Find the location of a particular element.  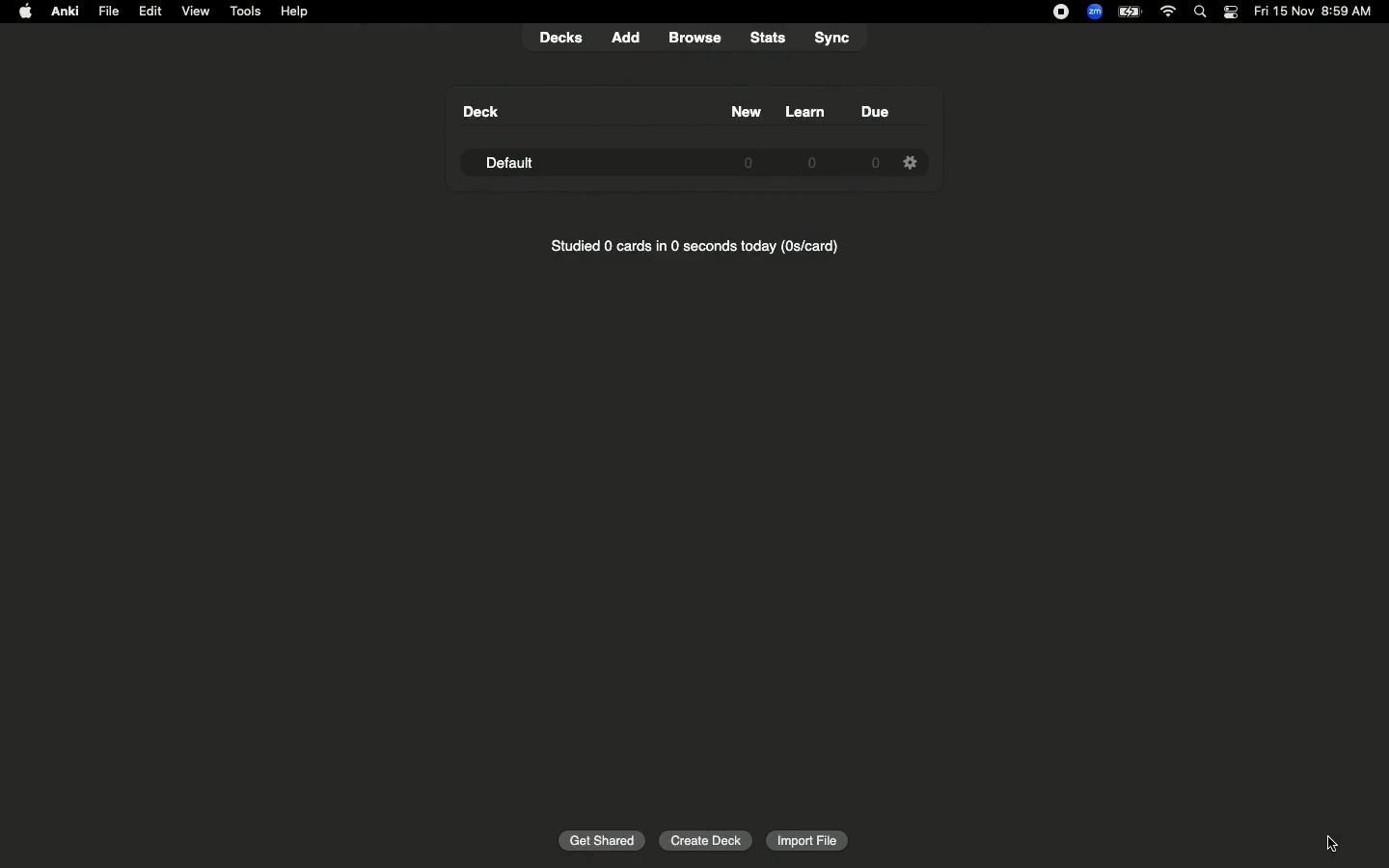

Edit is located at coordinates (150, 11).